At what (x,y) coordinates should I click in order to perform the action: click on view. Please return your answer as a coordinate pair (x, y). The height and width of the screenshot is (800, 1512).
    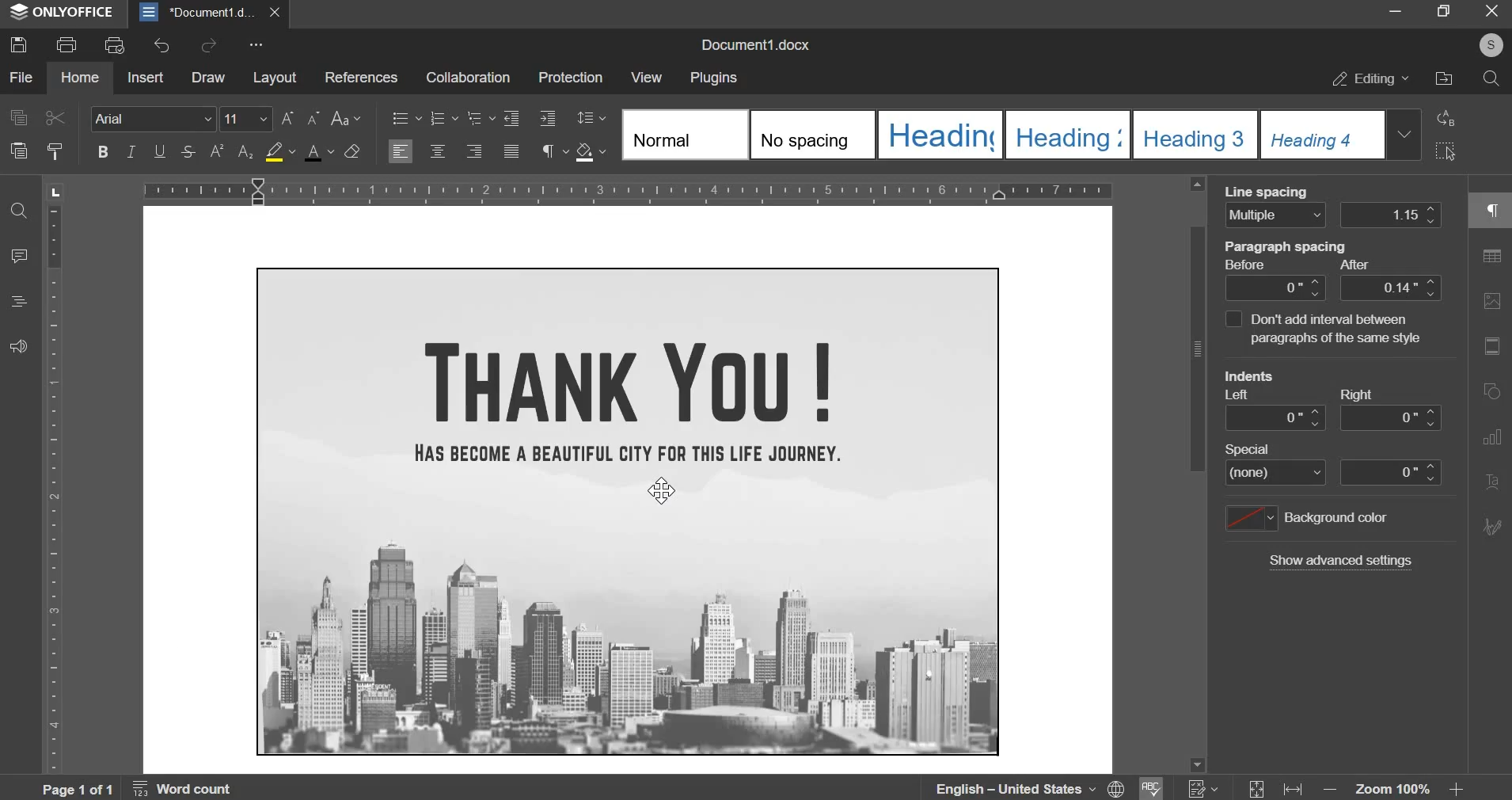
    Looking at the image, I should click on (647, 75).